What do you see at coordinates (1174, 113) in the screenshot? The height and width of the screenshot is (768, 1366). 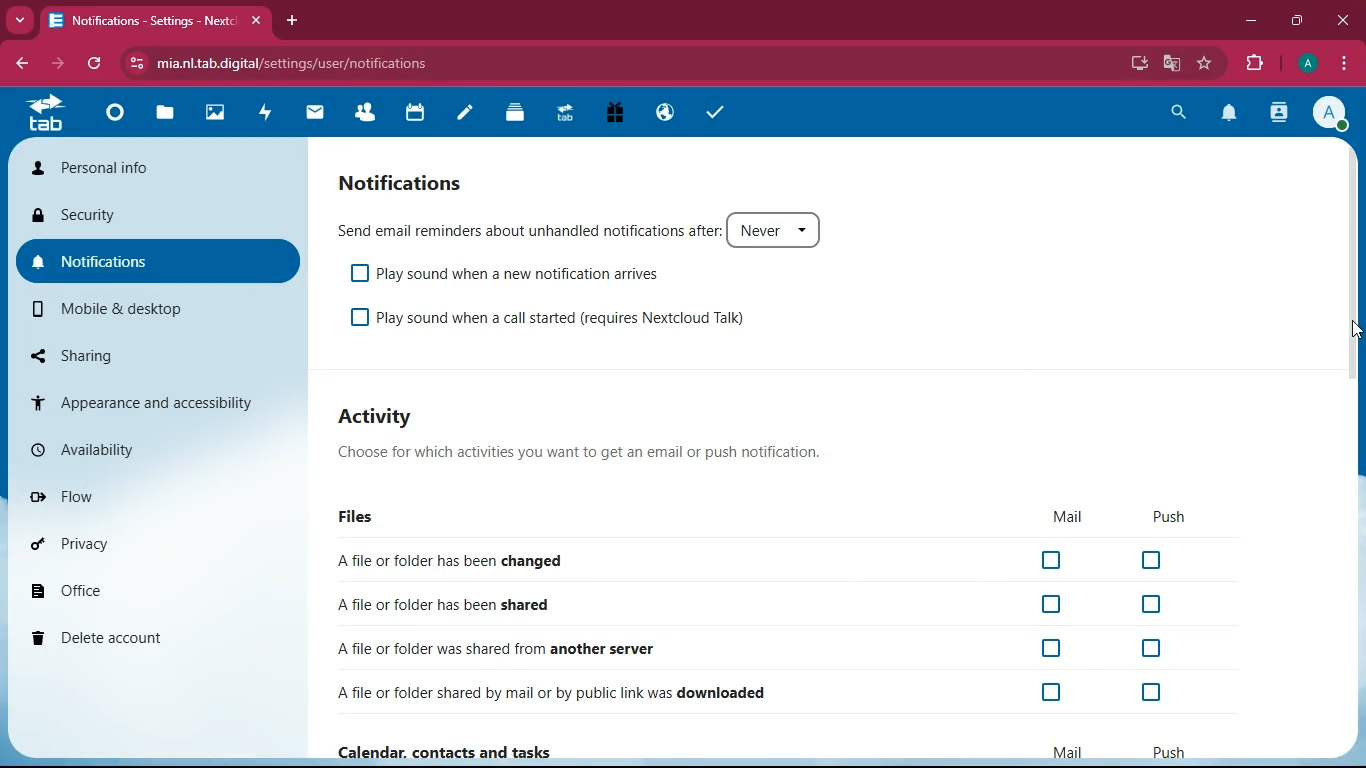 I see `search` at bounding box center [1174, 113].